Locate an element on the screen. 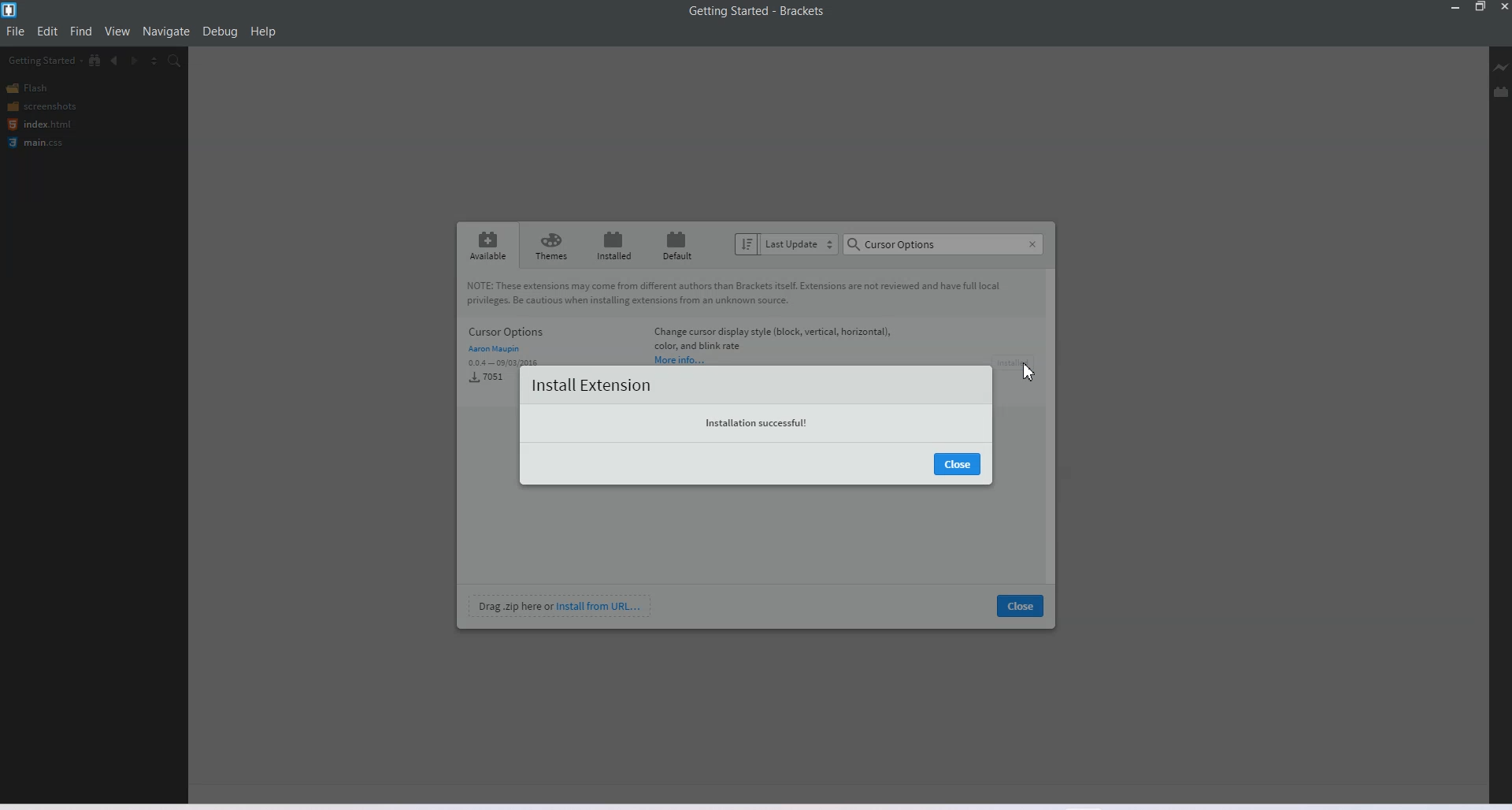 The image size is (1512, 810). Show file in Tree is located at coordinates (95, 59).